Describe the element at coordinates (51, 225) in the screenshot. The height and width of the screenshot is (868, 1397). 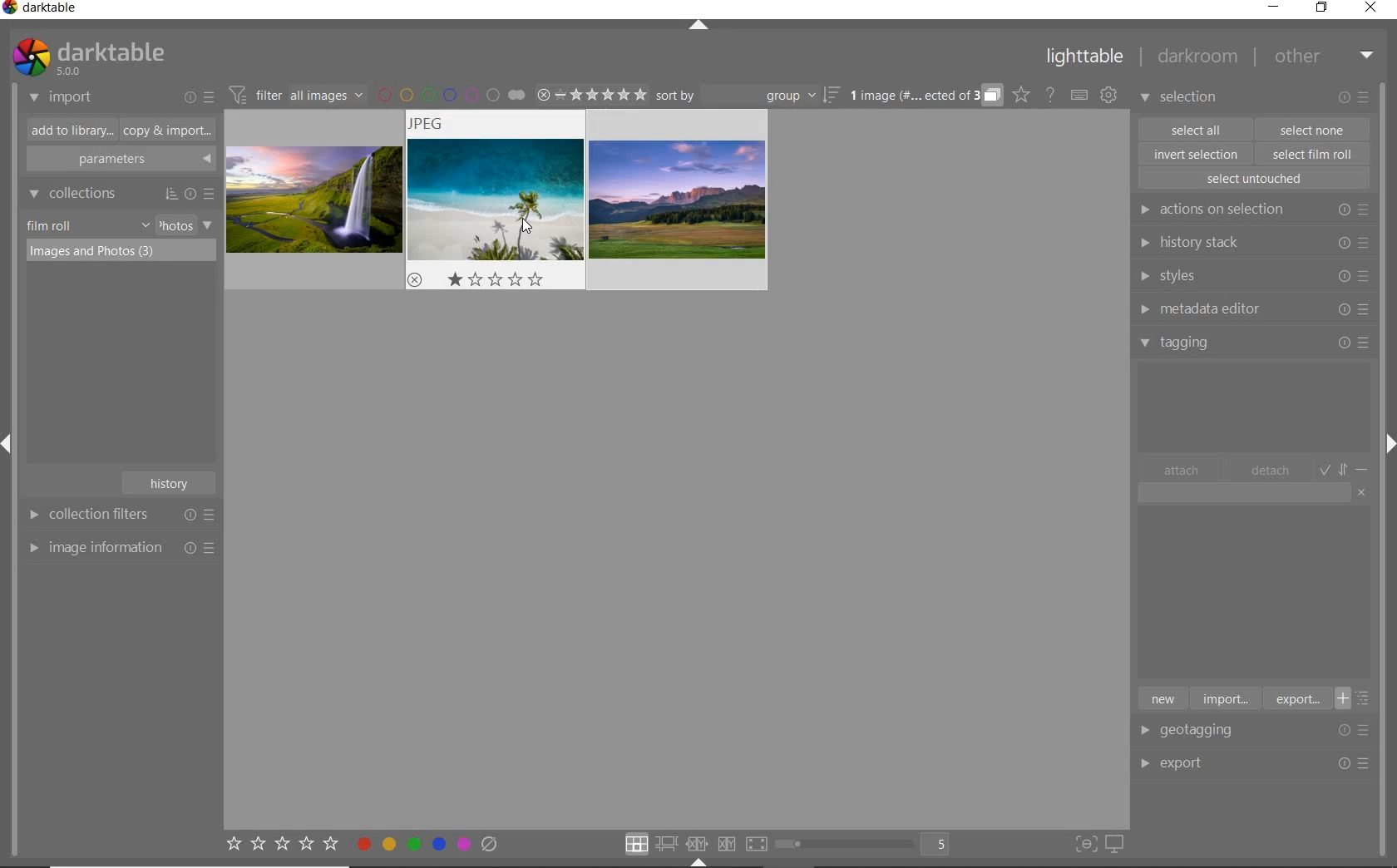
I see `film roll` at that location.